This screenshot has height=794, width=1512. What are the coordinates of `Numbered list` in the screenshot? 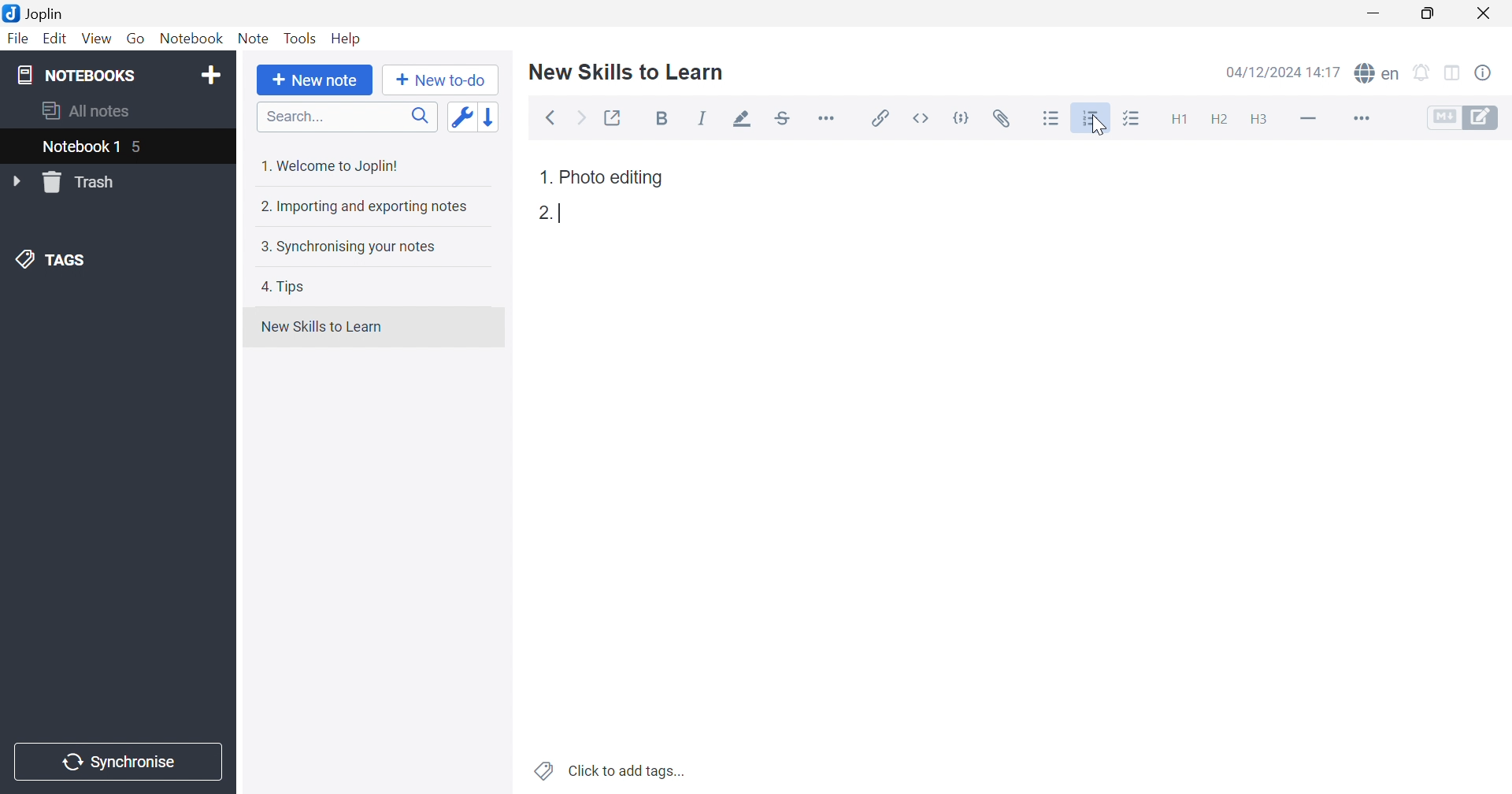 It's located at (1092, 118).